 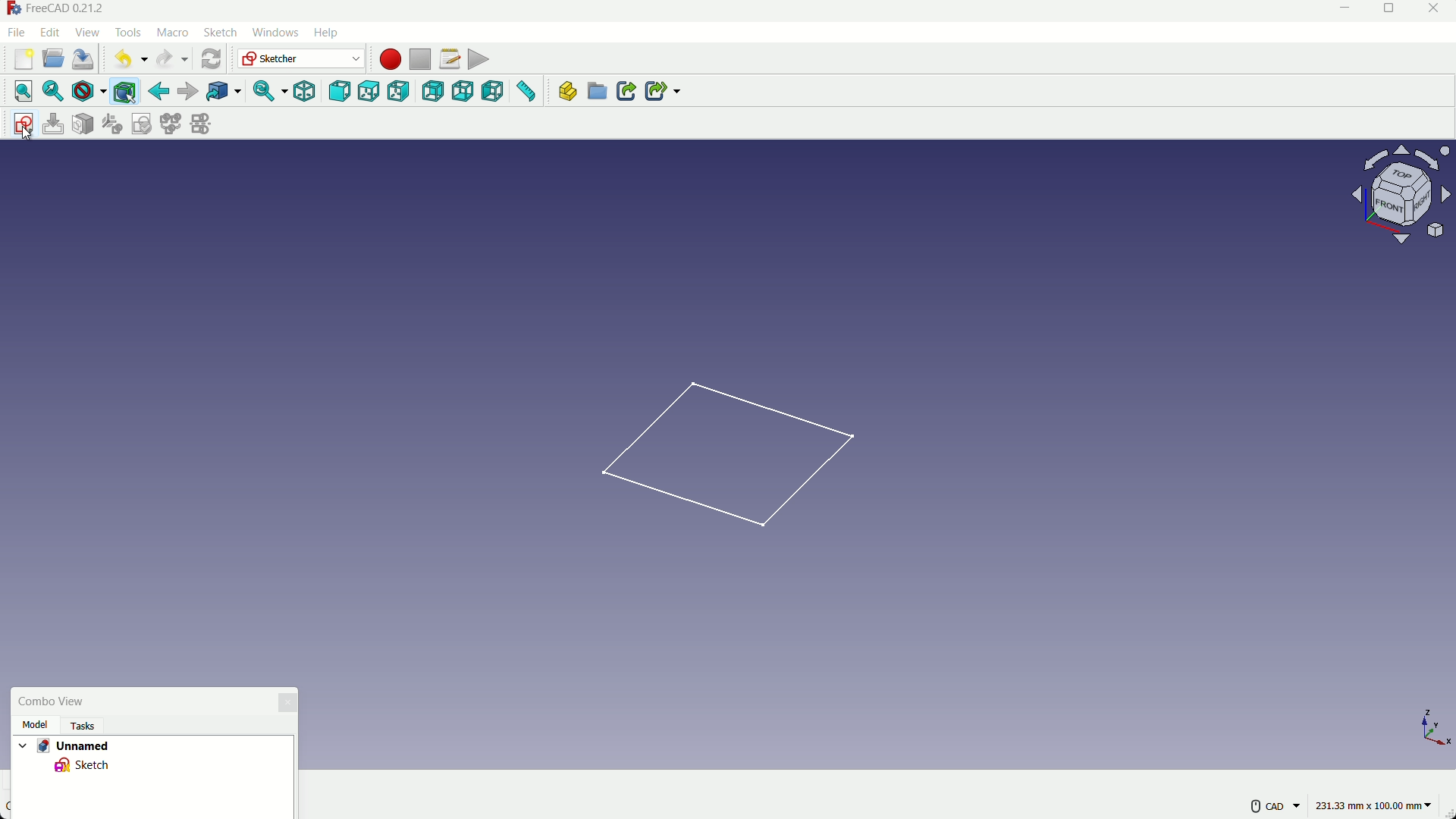 I want to click on windows menu, so click(x=275, y=33).